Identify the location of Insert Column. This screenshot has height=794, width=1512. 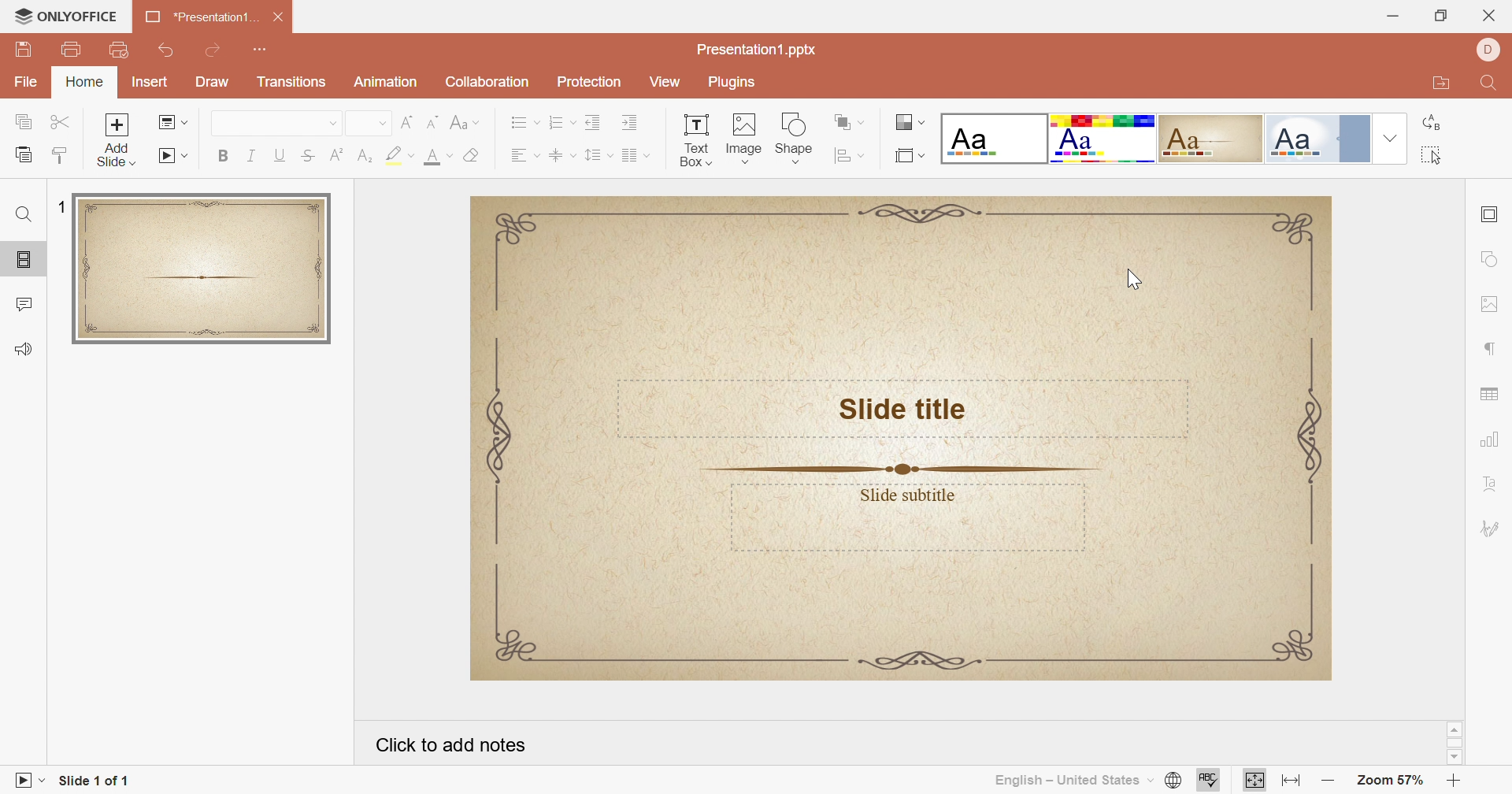
(628, 155).